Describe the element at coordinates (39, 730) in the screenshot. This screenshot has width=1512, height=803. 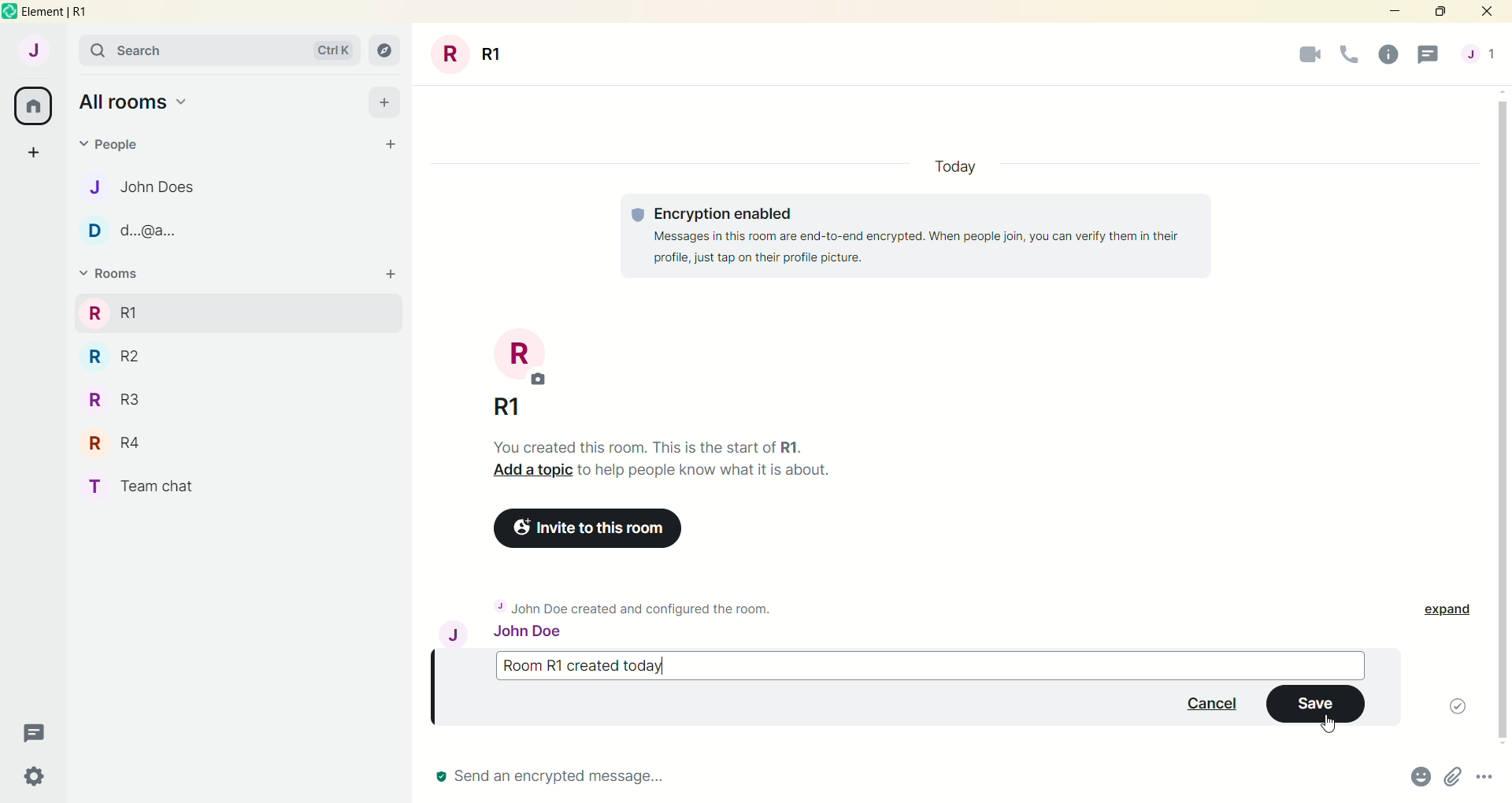
I see `threads` at that location.